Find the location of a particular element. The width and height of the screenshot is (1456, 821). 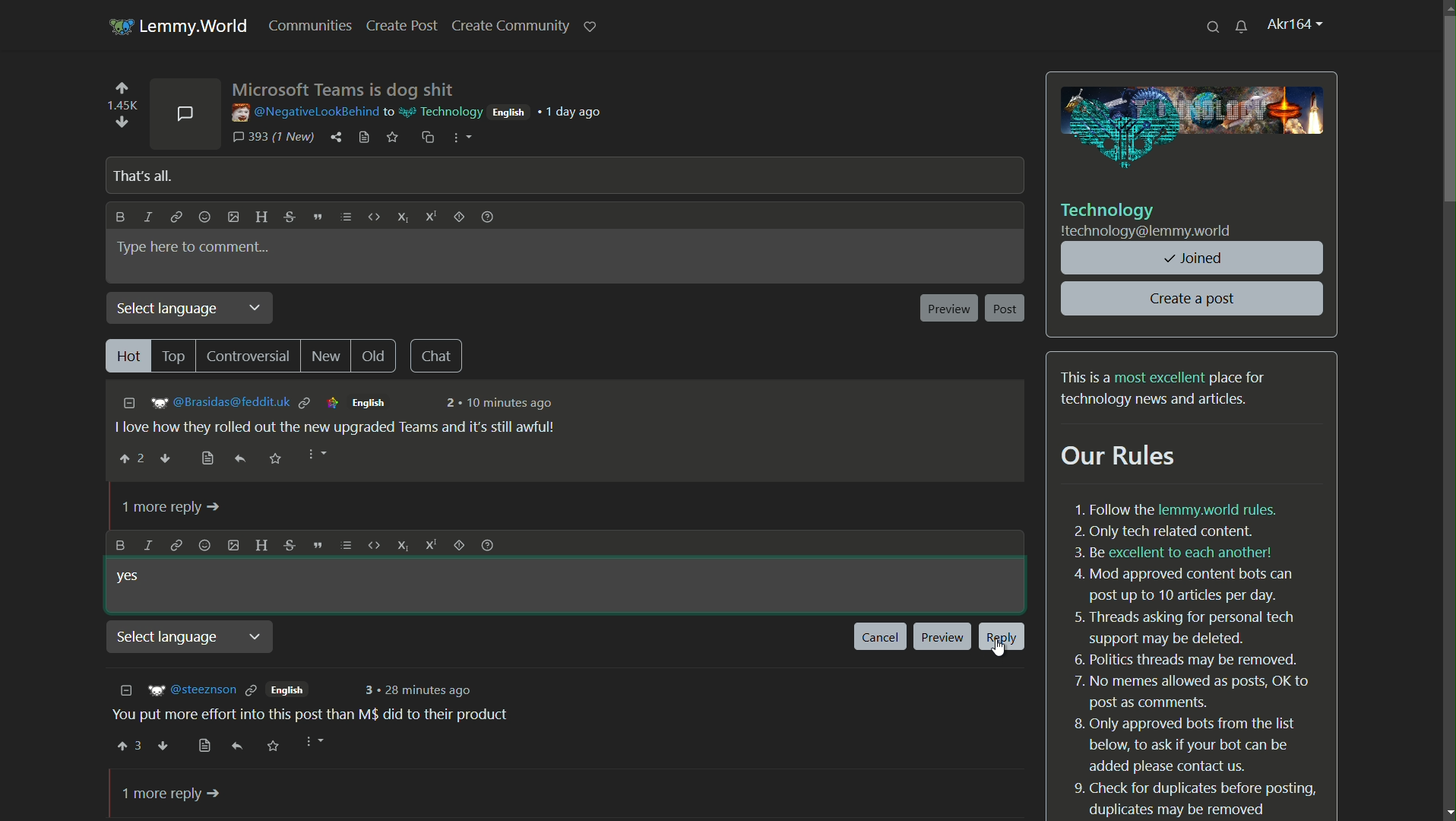

italic is located at coordinates (150, 217).